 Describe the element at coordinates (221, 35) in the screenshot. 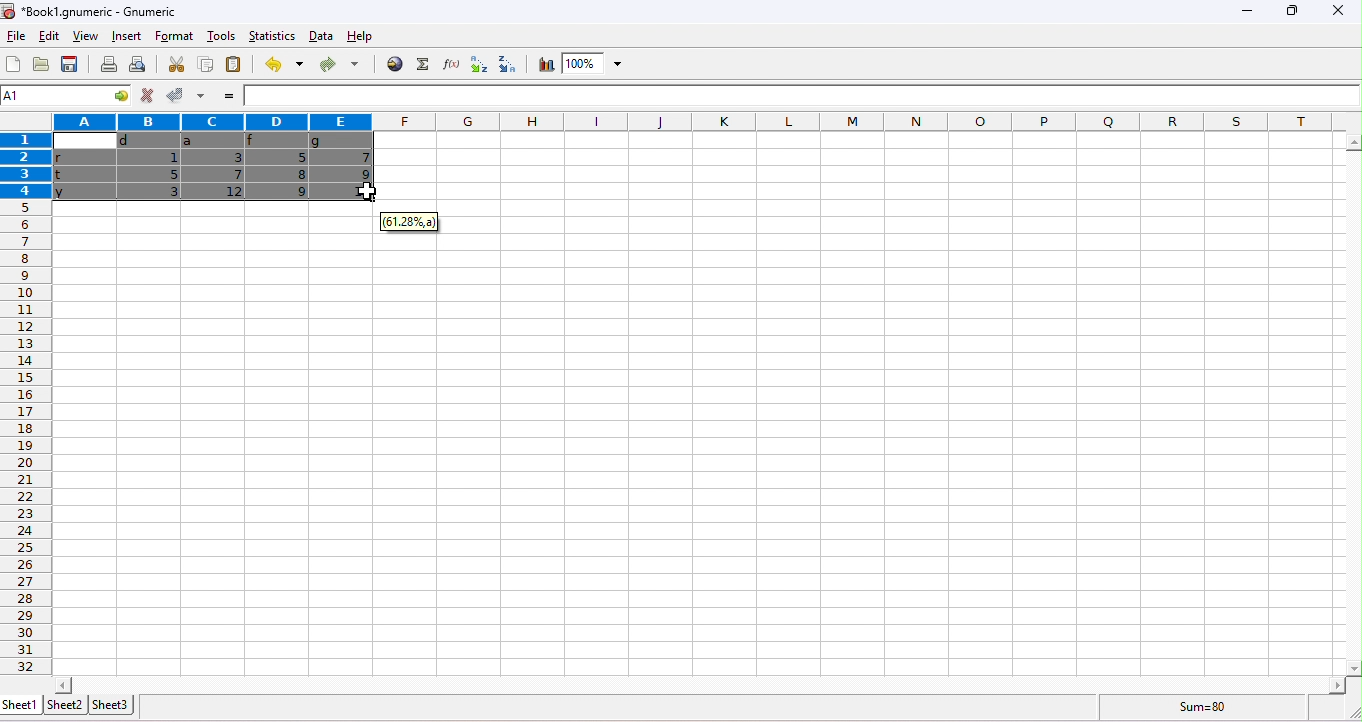

I see `tools` at that location.